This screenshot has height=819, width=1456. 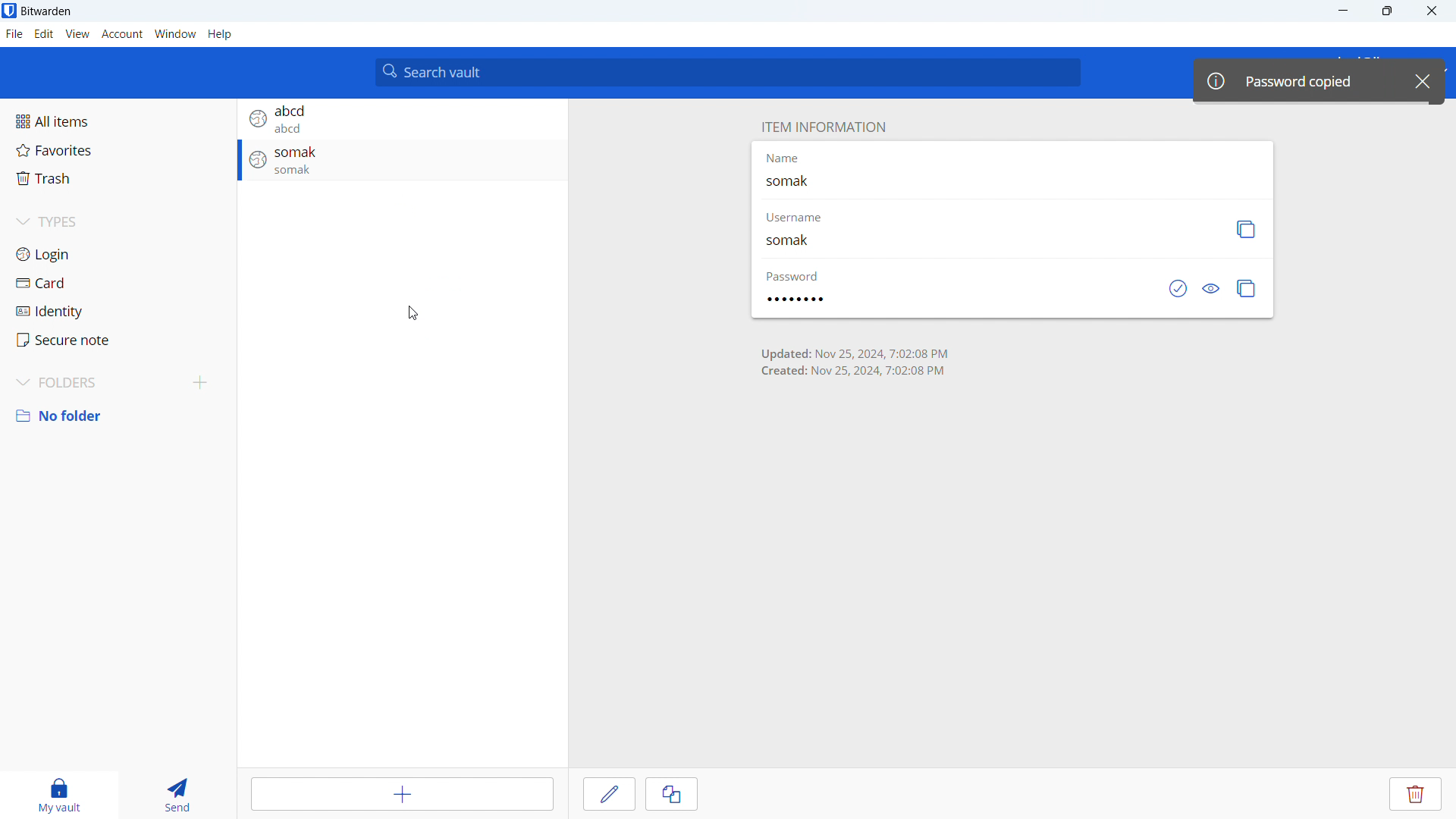 What do you see at coordinates (794, 184) in the screenshot?
I see `somak` at bounding box center [794, 184].